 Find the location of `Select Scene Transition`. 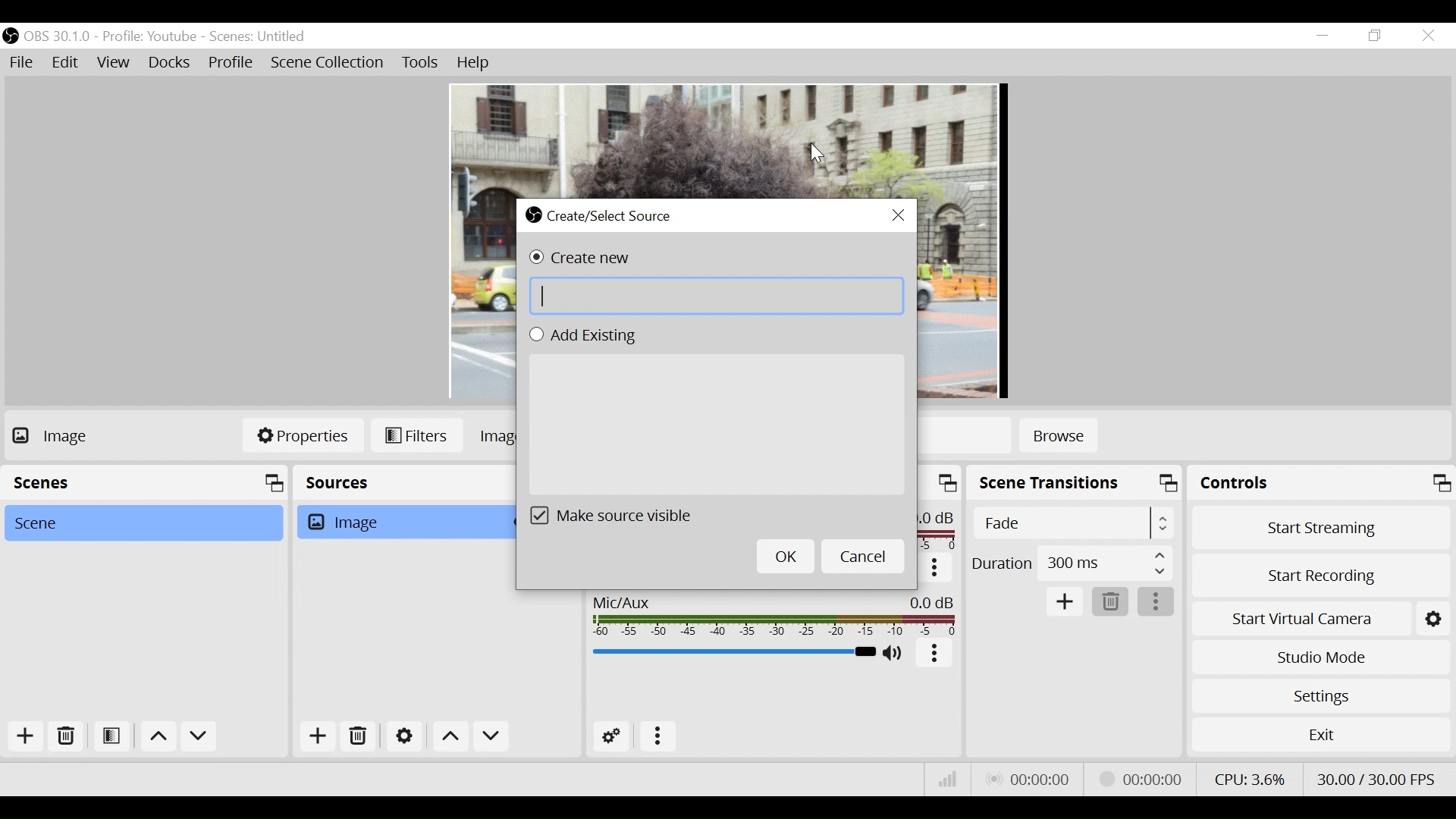

Select Scene Transition is located at coordinates (1072, 521).